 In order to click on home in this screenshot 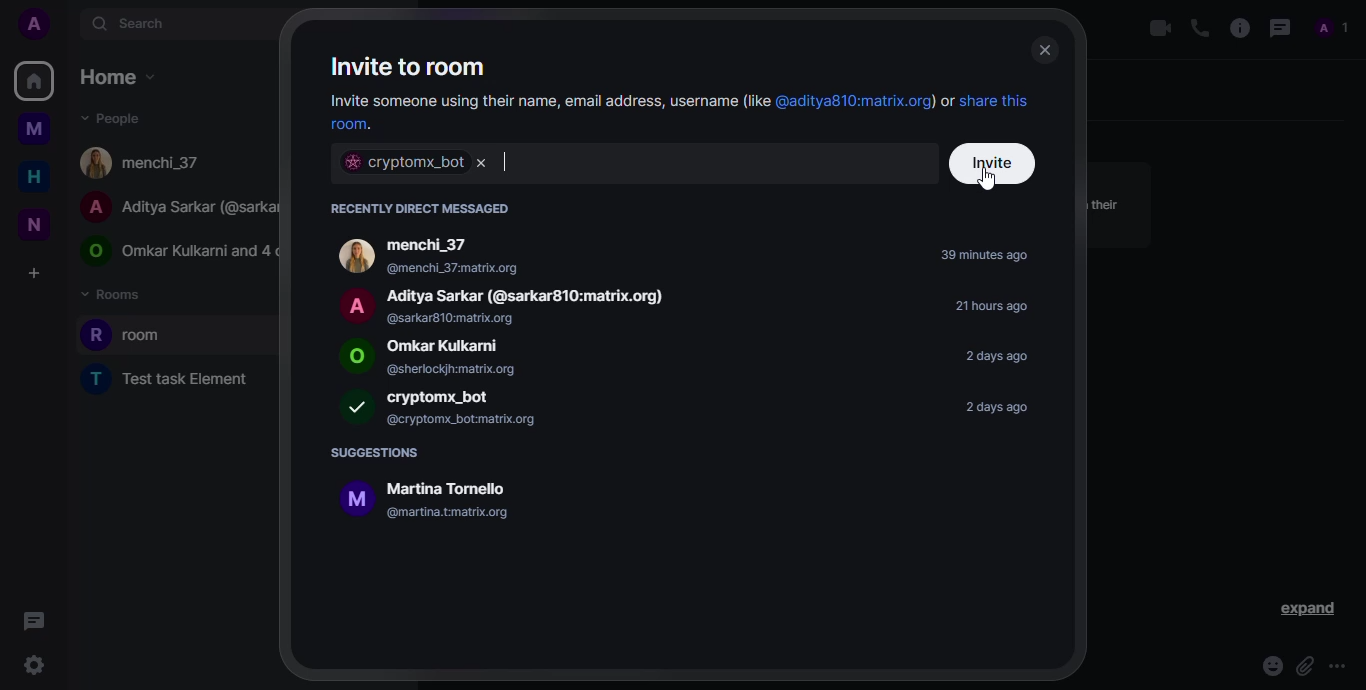, I will do `click(119, 76)`.